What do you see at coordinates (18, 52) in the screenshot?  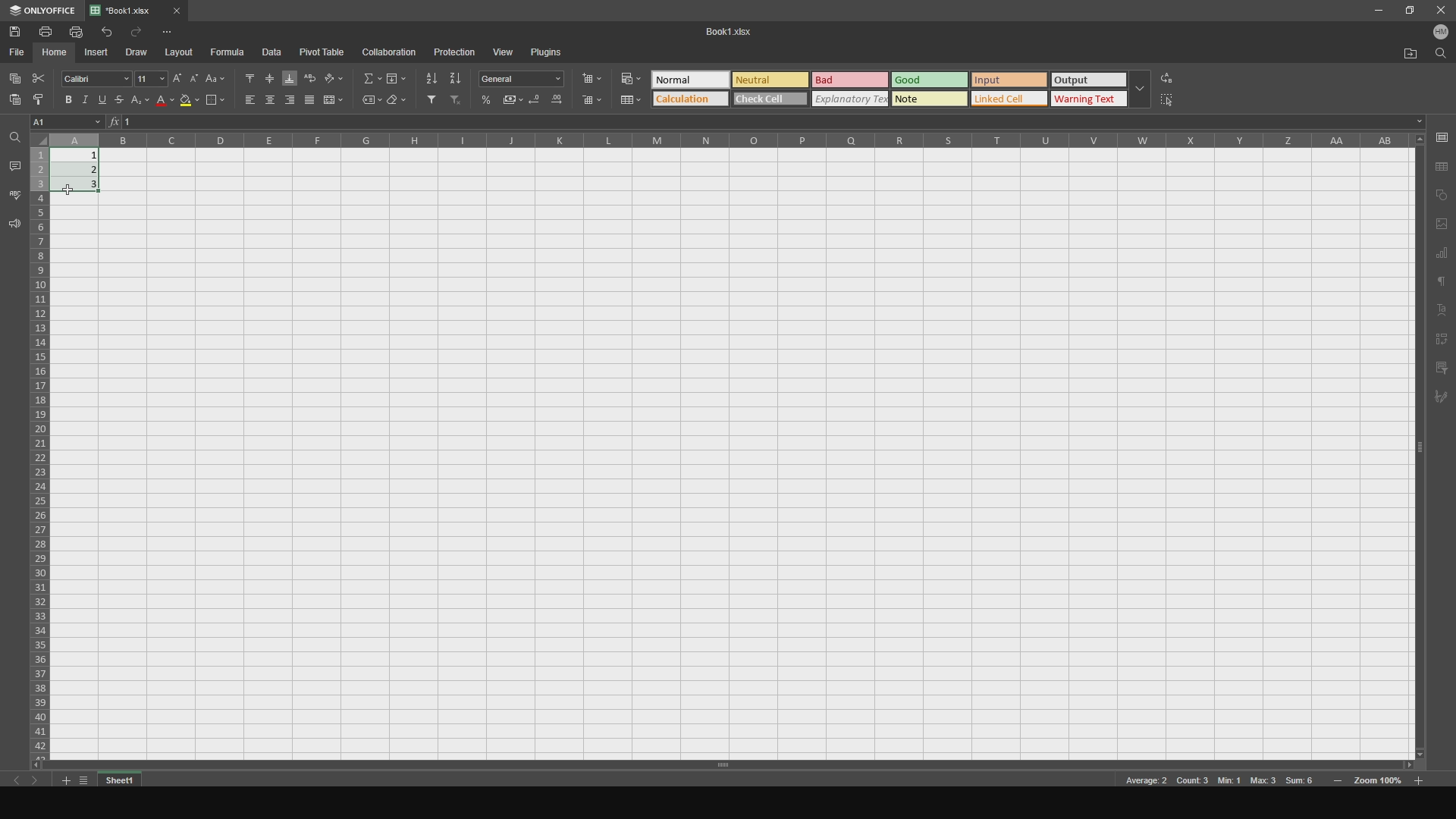 I see `file` at bounding box center [18, 52].